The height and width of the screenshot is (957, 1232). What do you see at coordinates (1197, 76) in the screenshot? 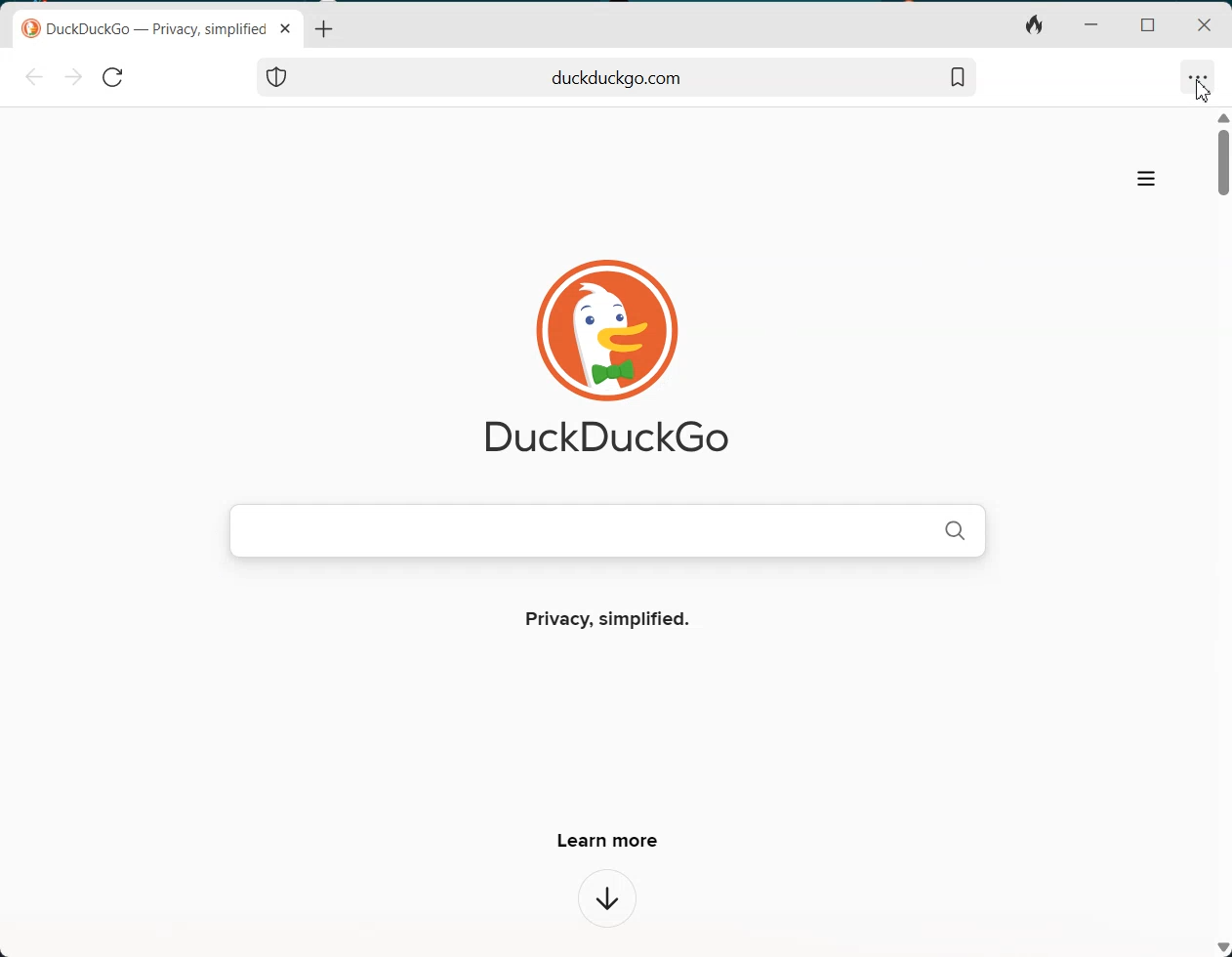
I see `meatball tool` at bounding box center [1197, 76].